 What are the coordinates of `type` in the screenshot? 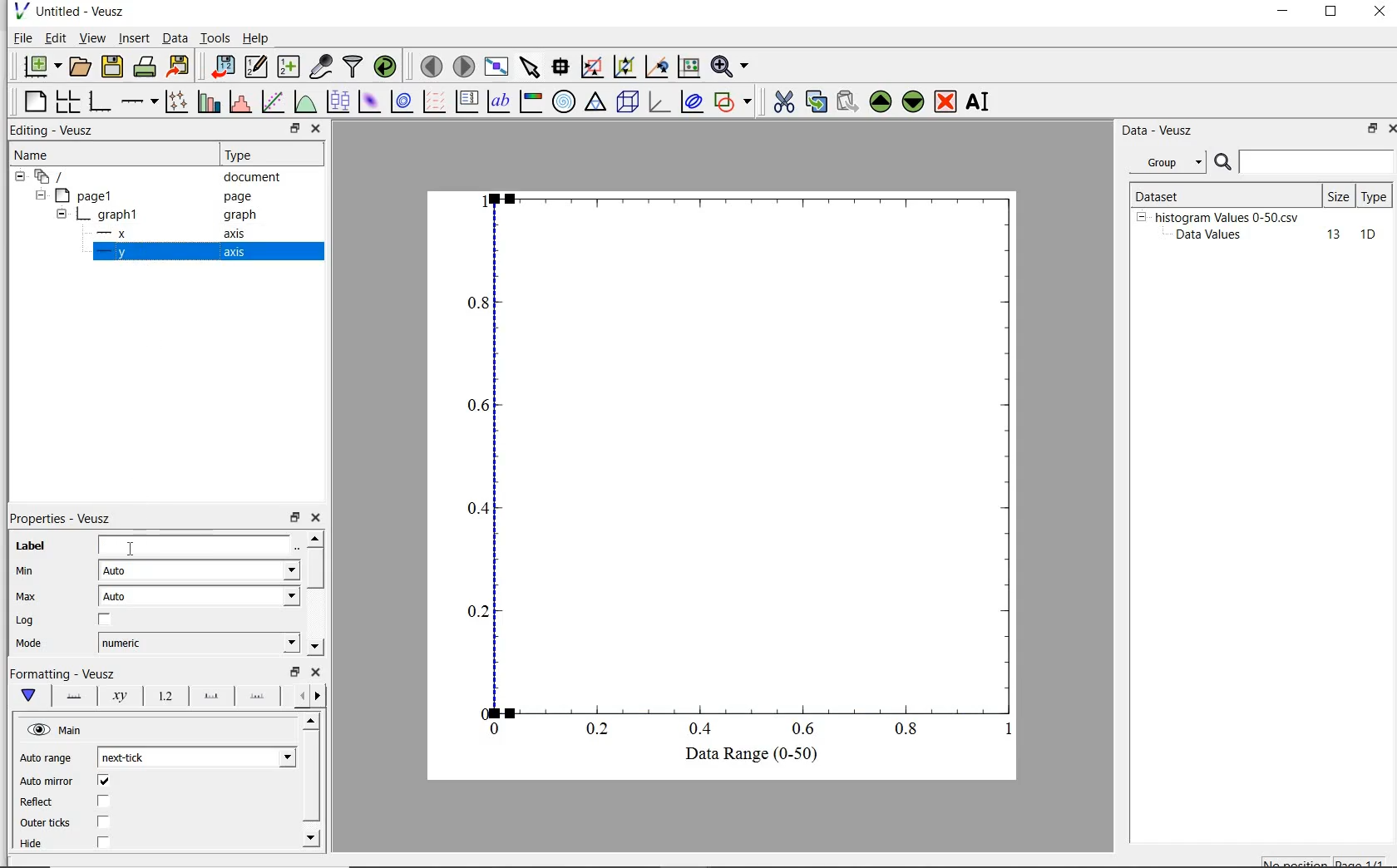 It's located at (1375, 195).